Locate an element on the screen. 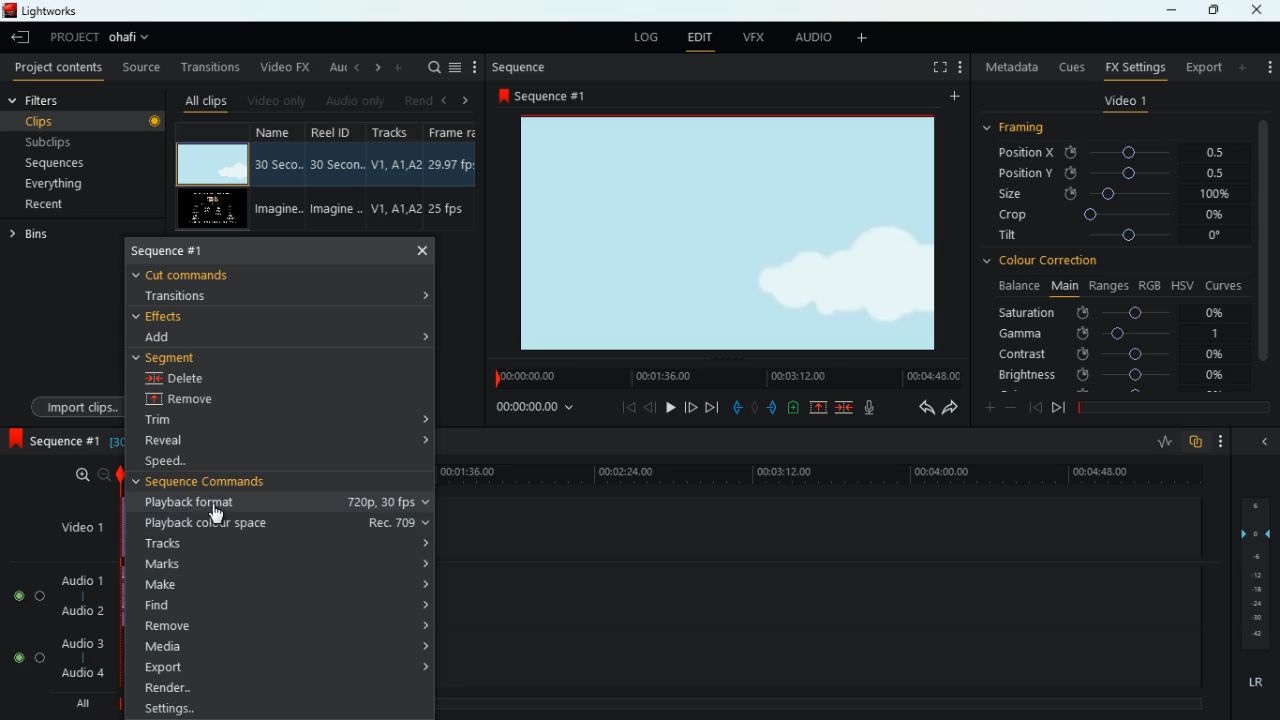 The height and width of the screenshot is (720, 1280). sequence is located at coordinates (223, 250).